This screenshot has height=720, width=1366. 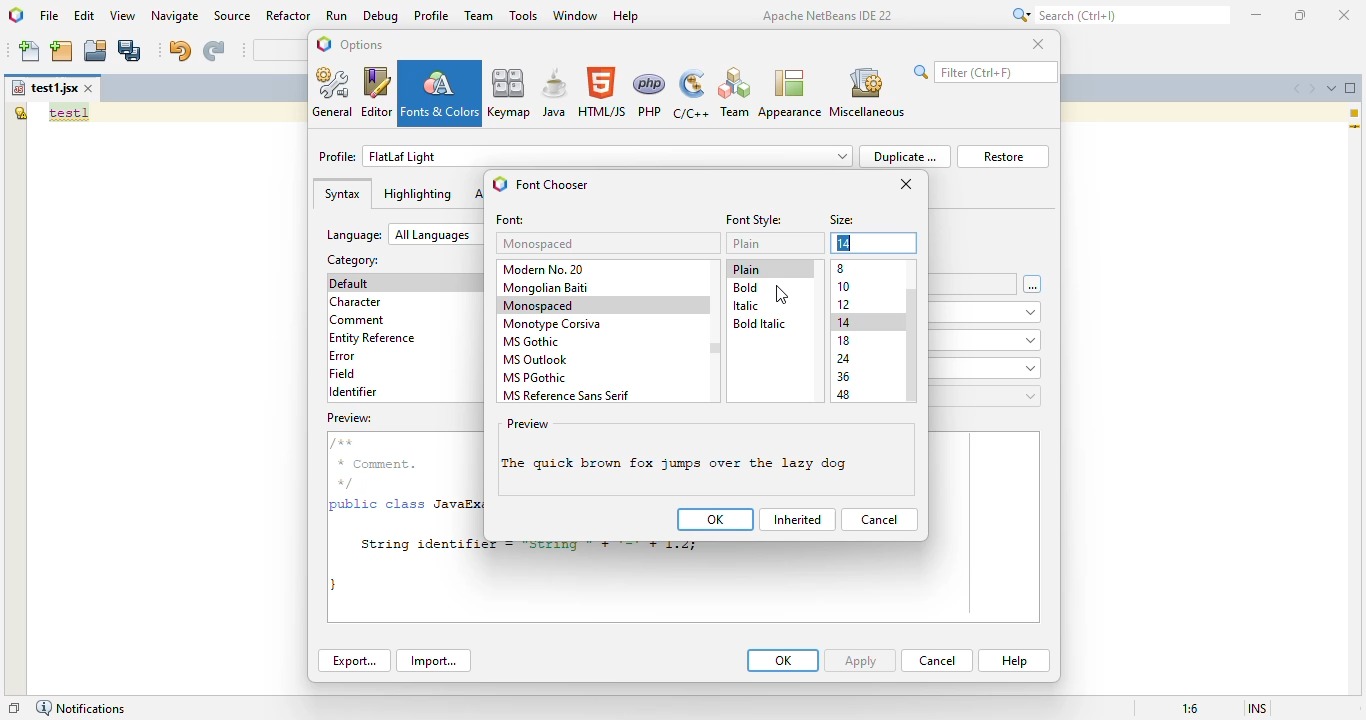 I want to click on italic, so click(x=745, y=306).